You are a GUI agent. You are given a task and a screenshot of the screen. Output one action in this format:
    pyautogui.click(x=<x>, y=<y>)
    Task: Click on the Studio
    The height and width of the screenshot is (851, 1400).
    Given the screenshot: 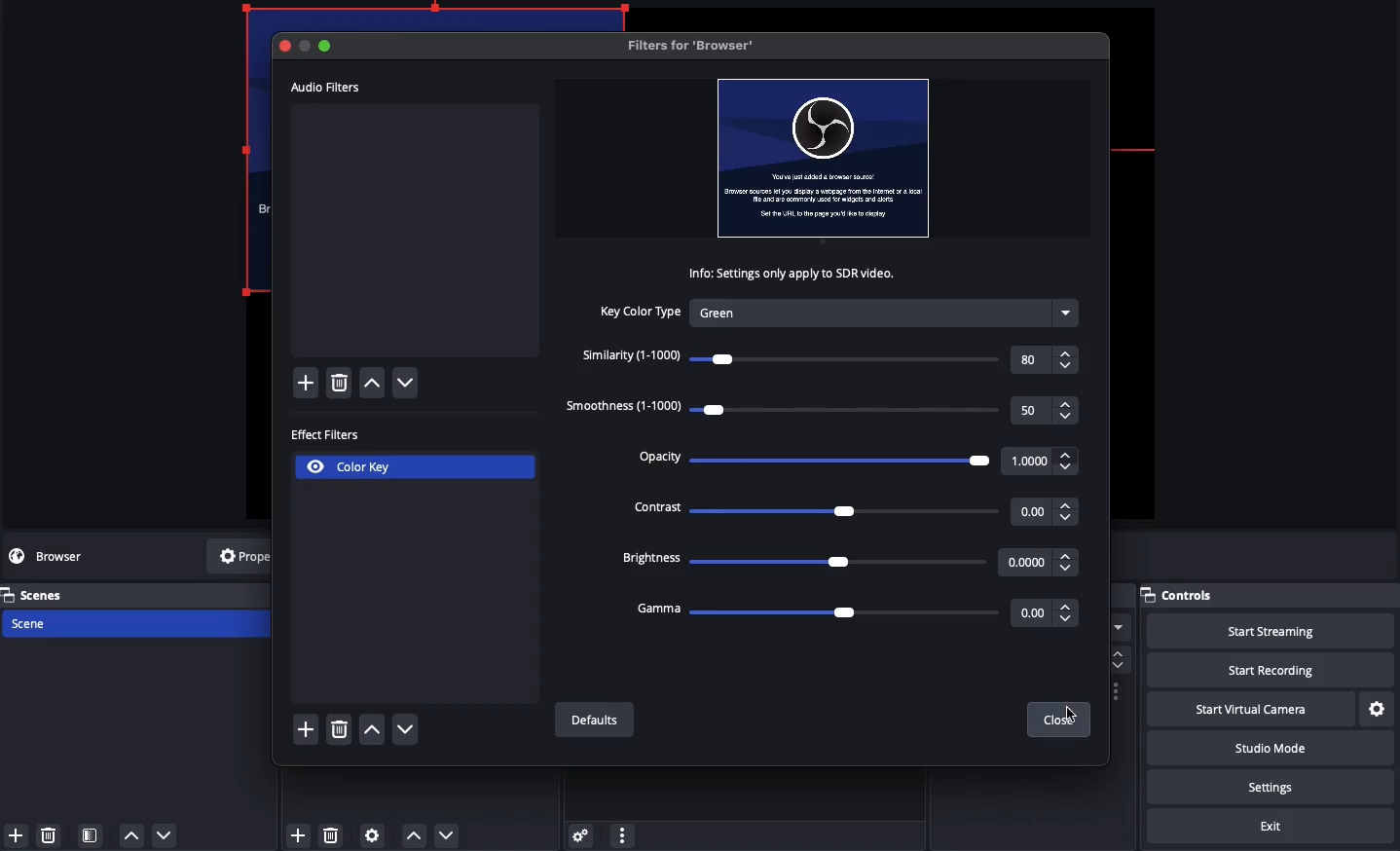 What is the action you would take?
    pyautogui.click(x=1269, y=748)
    